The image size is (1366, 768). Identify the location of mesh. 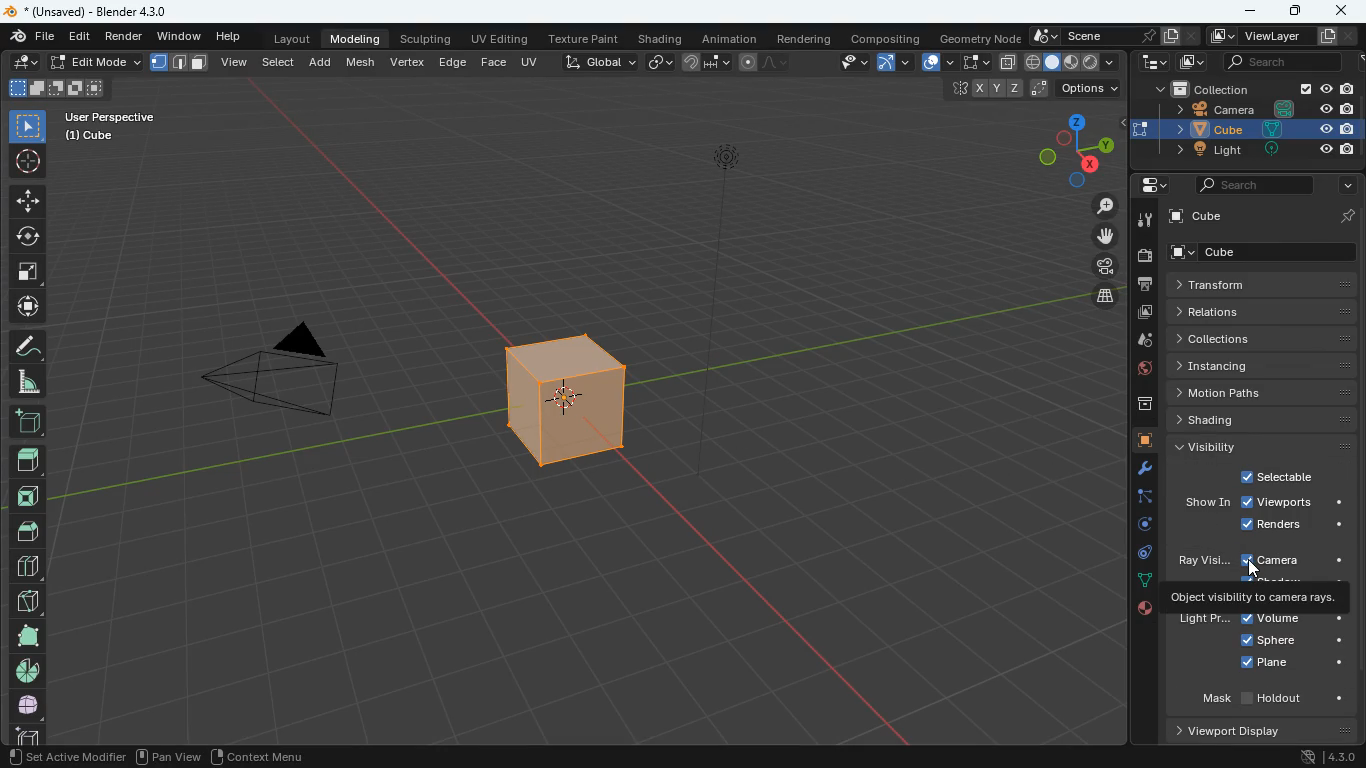
(361, 63).